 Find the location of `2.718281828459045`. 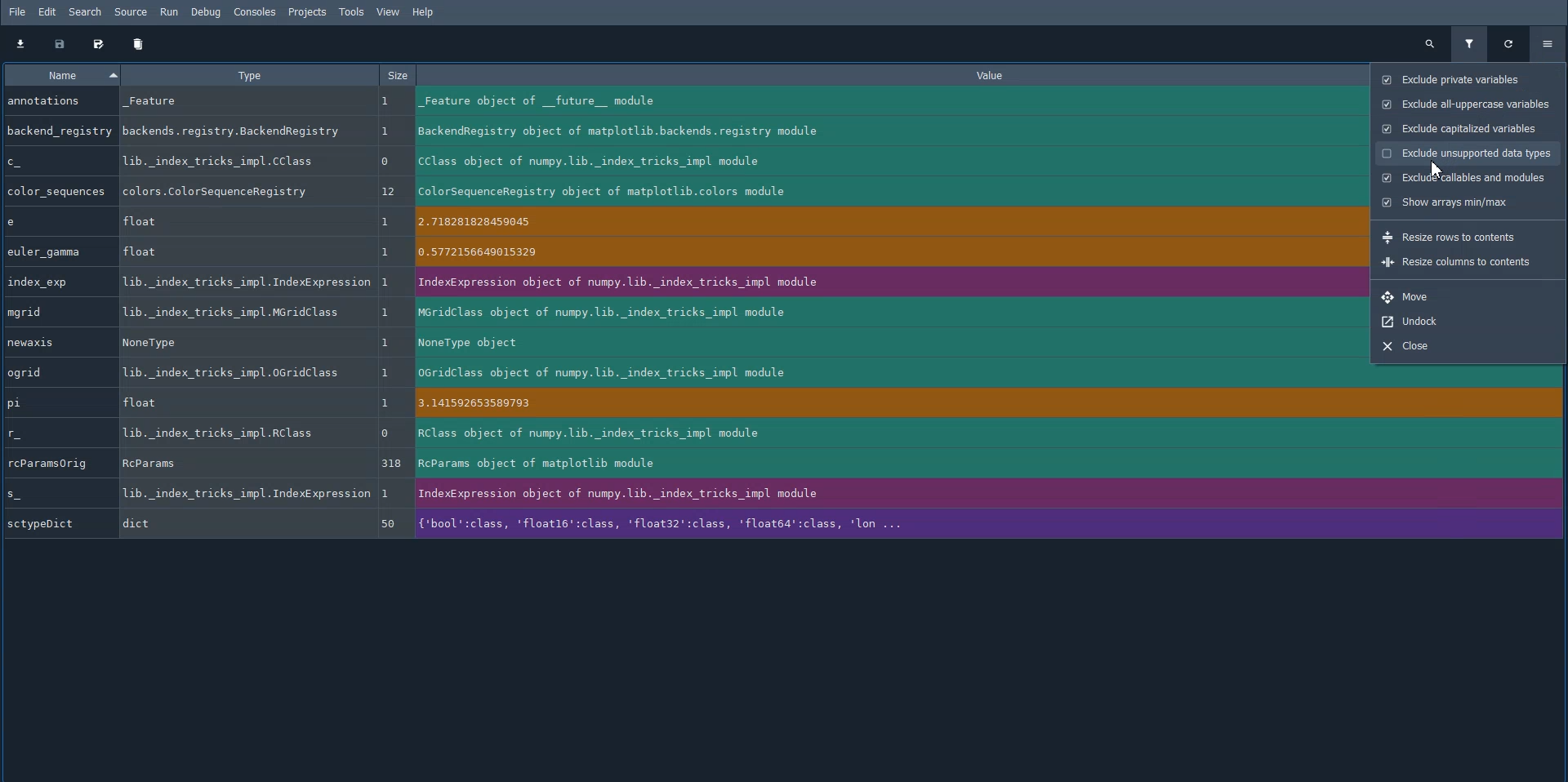

2.718281828459045 is located at coordinates (882, 224).